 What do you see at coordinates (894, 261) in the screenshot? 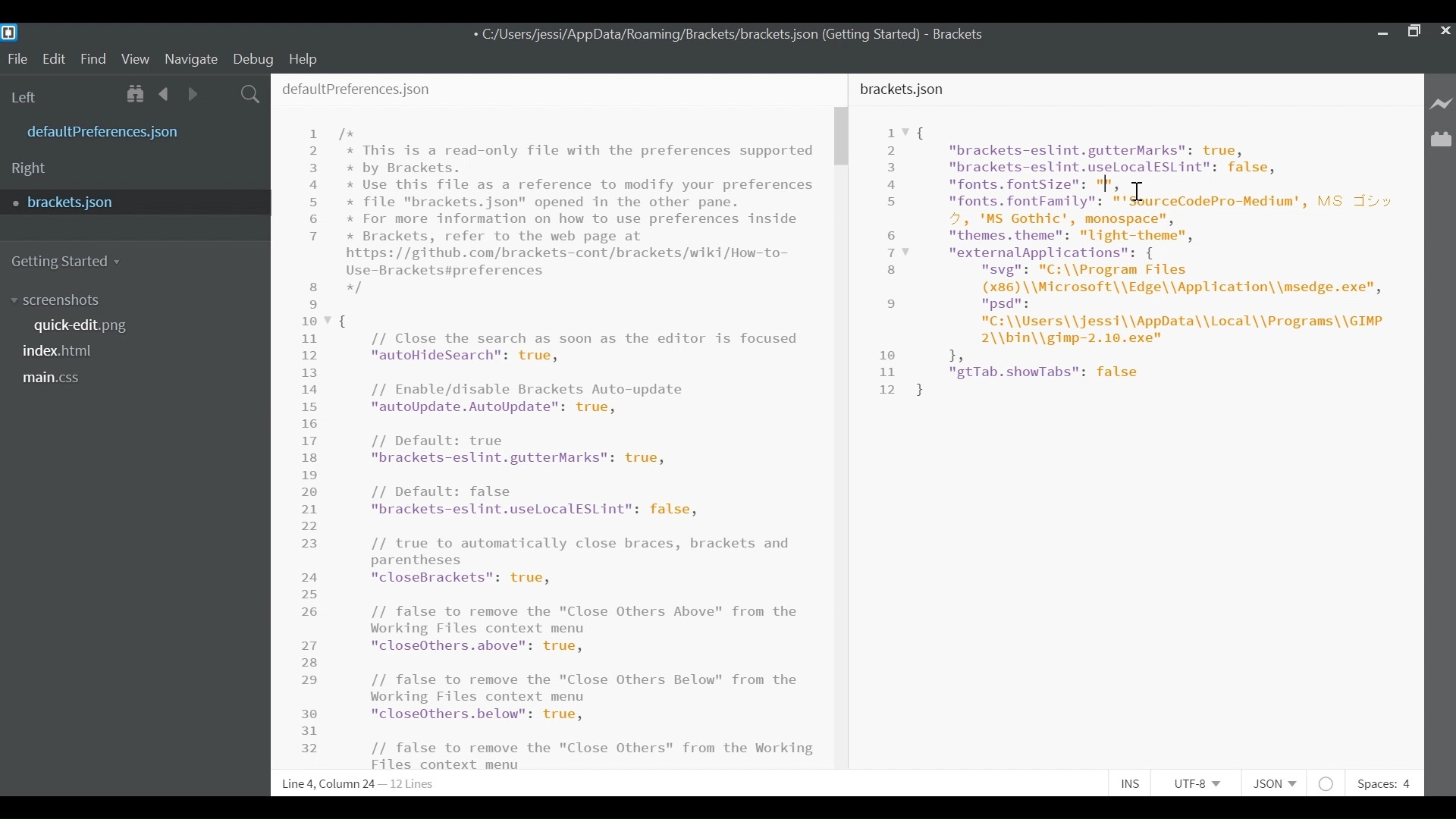
I see `Line Number` at bounding box center [894, 261].